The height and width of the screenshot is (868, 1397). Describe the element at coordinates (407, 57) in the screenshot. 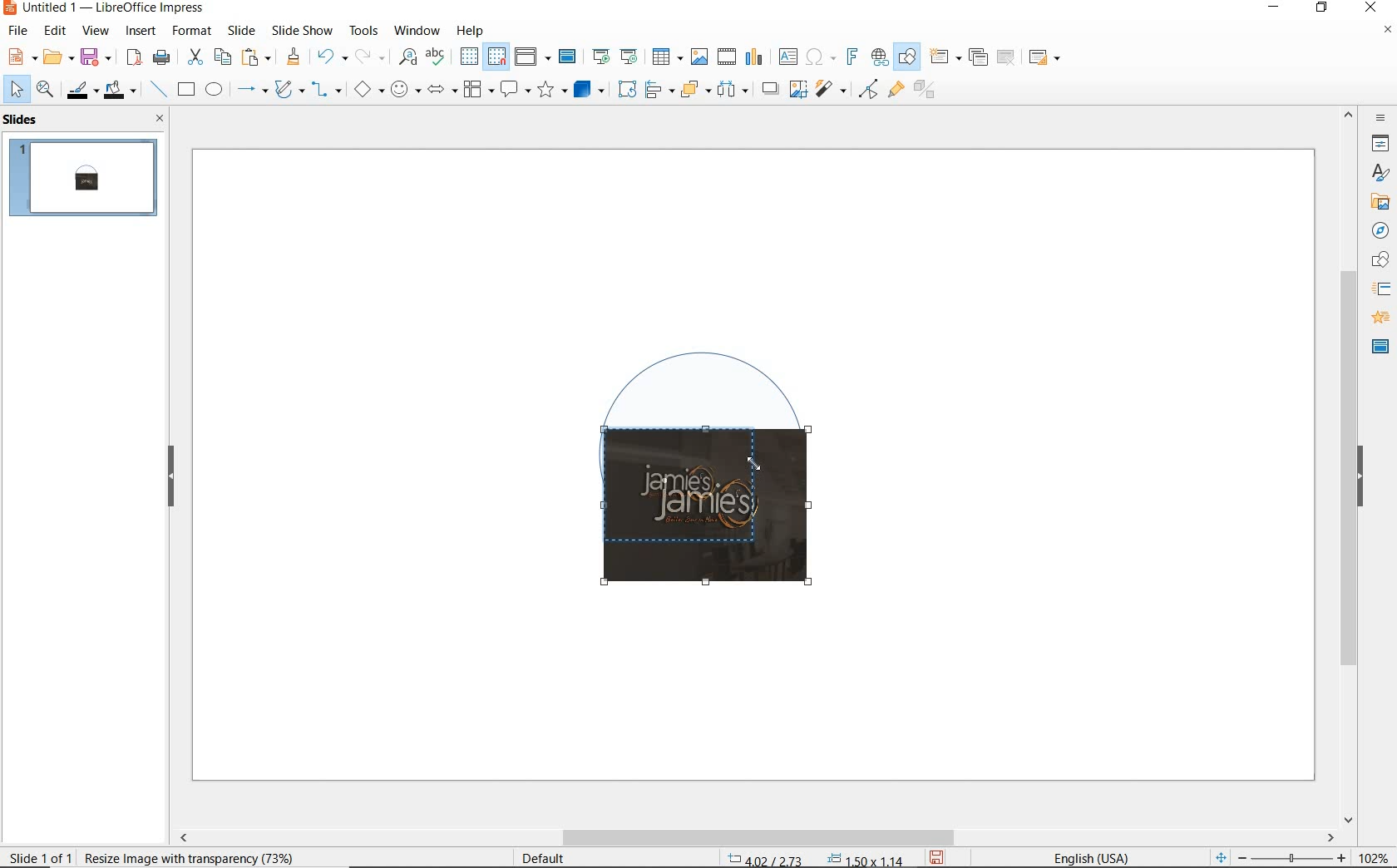

I see `find and replace` at that location.